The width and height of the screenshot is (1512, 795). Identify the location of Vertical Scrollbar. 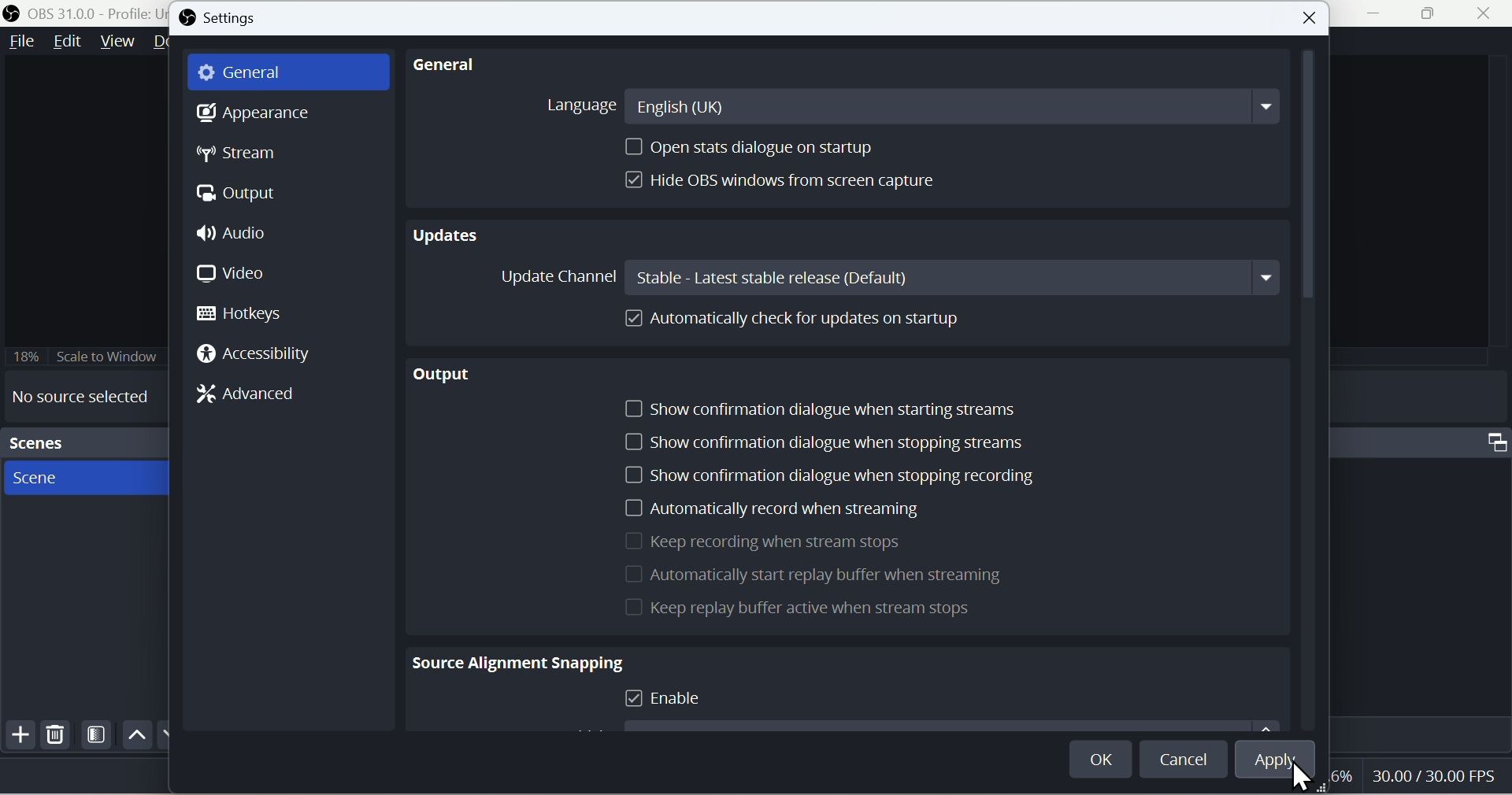
(1308, 179).